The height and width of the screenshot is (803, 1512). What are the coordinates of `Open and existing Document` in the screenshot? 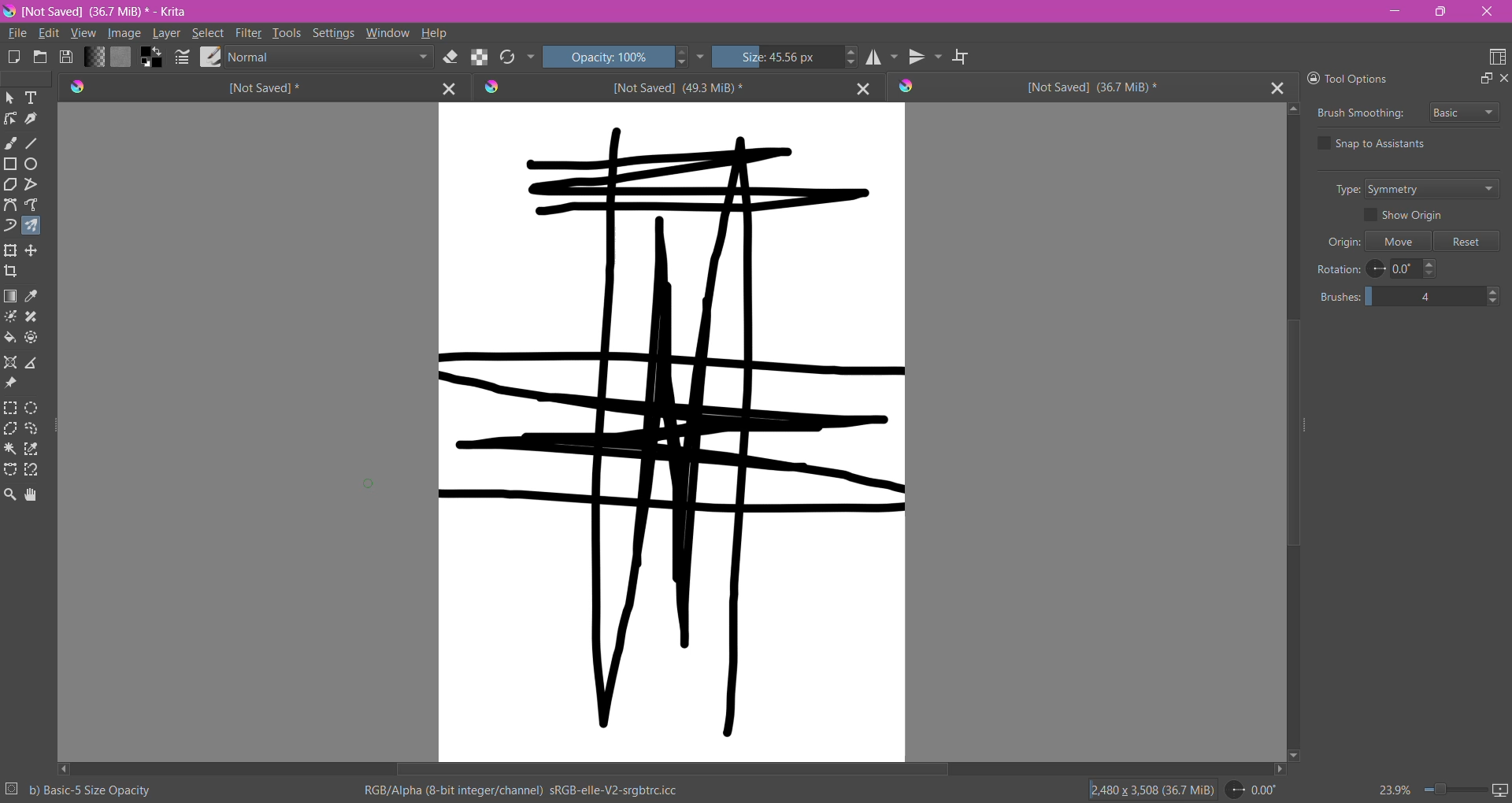 It's located at (40, 57).